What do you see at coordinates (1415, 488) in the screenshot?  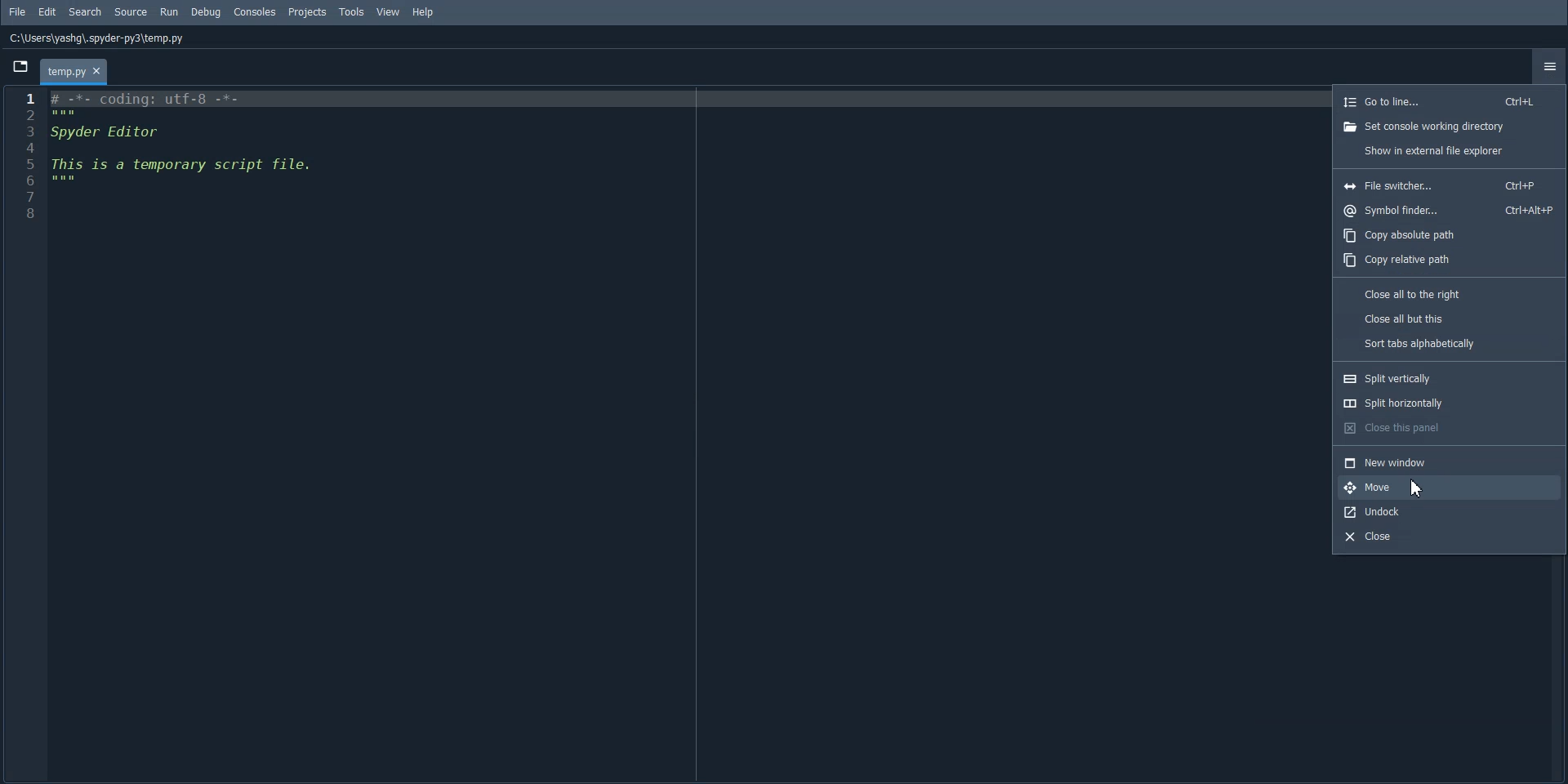 I see `Cursor` at bounding box center [1415, 488].